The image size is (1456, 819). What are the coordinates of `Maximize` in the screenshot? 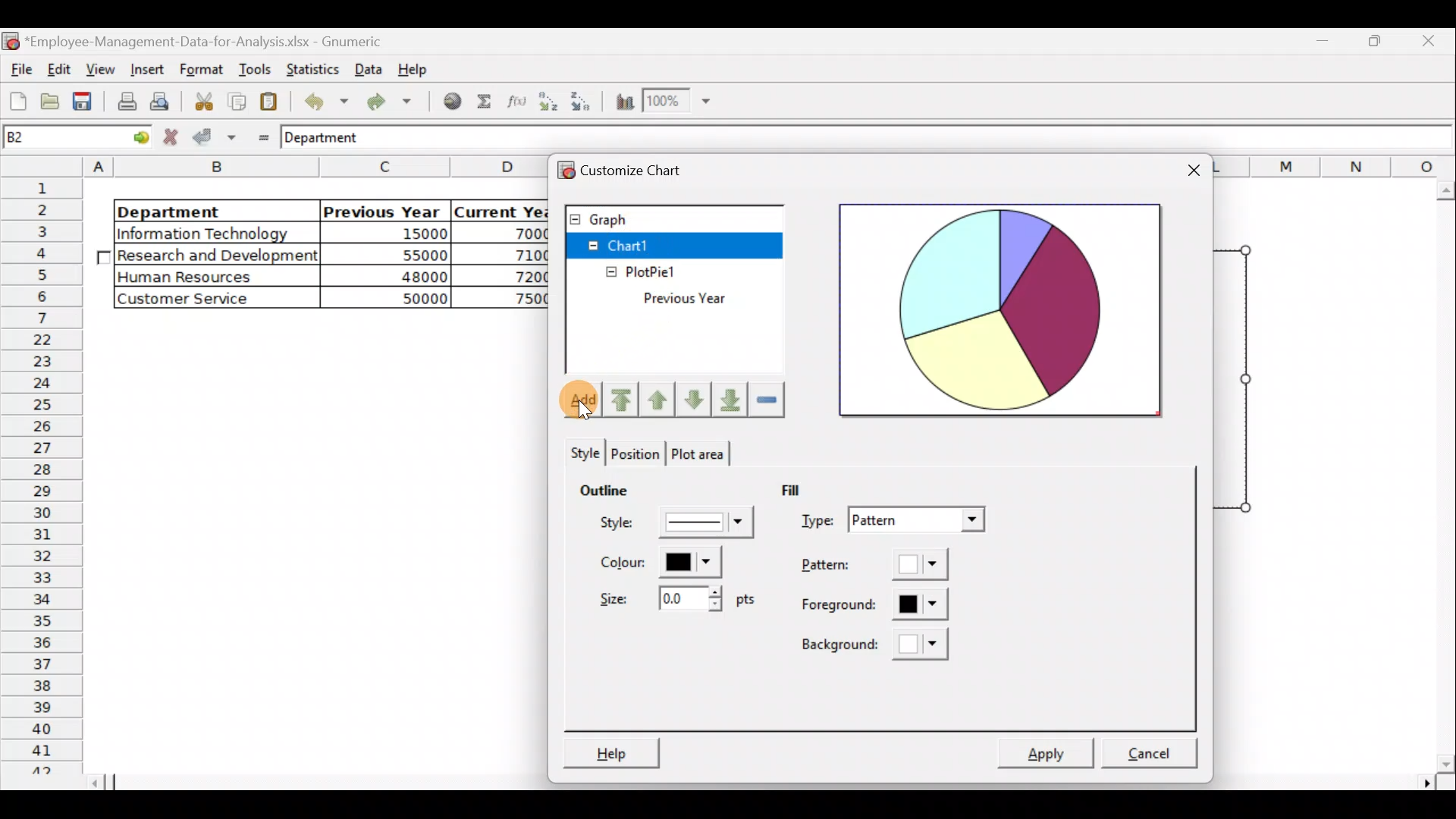 It's located at (1328, 43).